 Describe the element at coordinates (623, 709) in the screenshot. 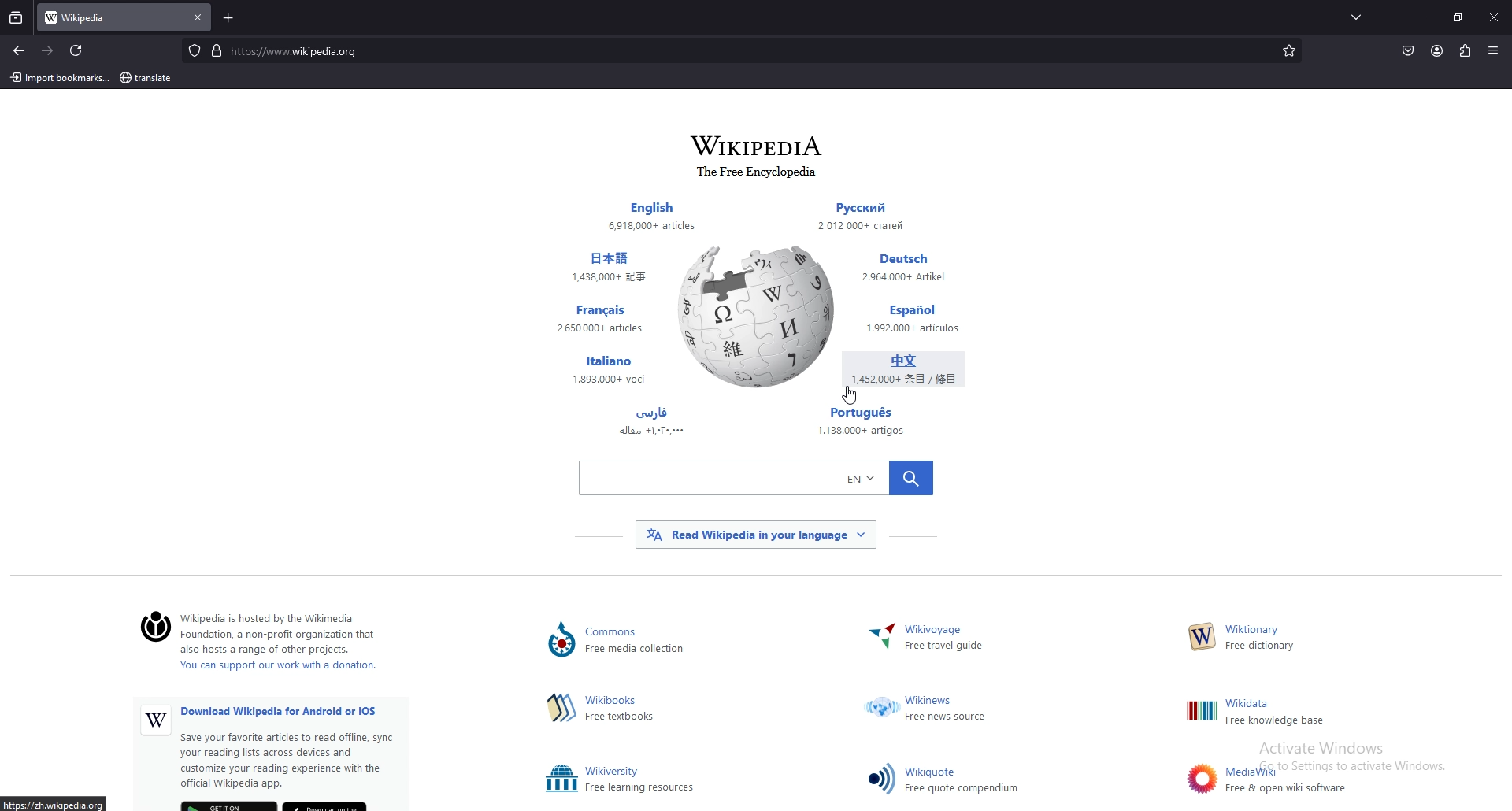

I see `hima
Free textbooks` at that location.